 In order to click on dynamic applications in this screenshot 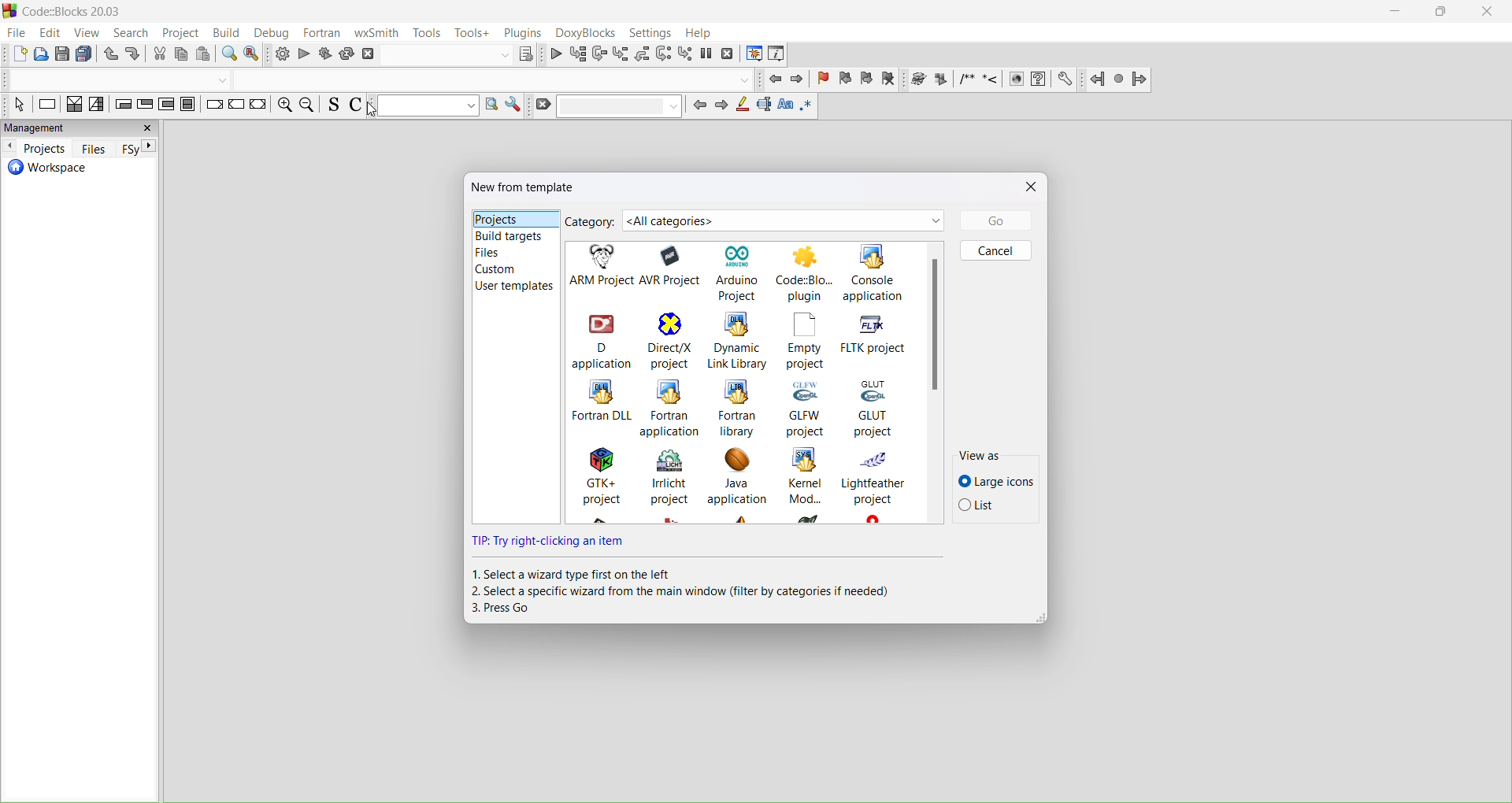, I will do `click(738, 341)`.